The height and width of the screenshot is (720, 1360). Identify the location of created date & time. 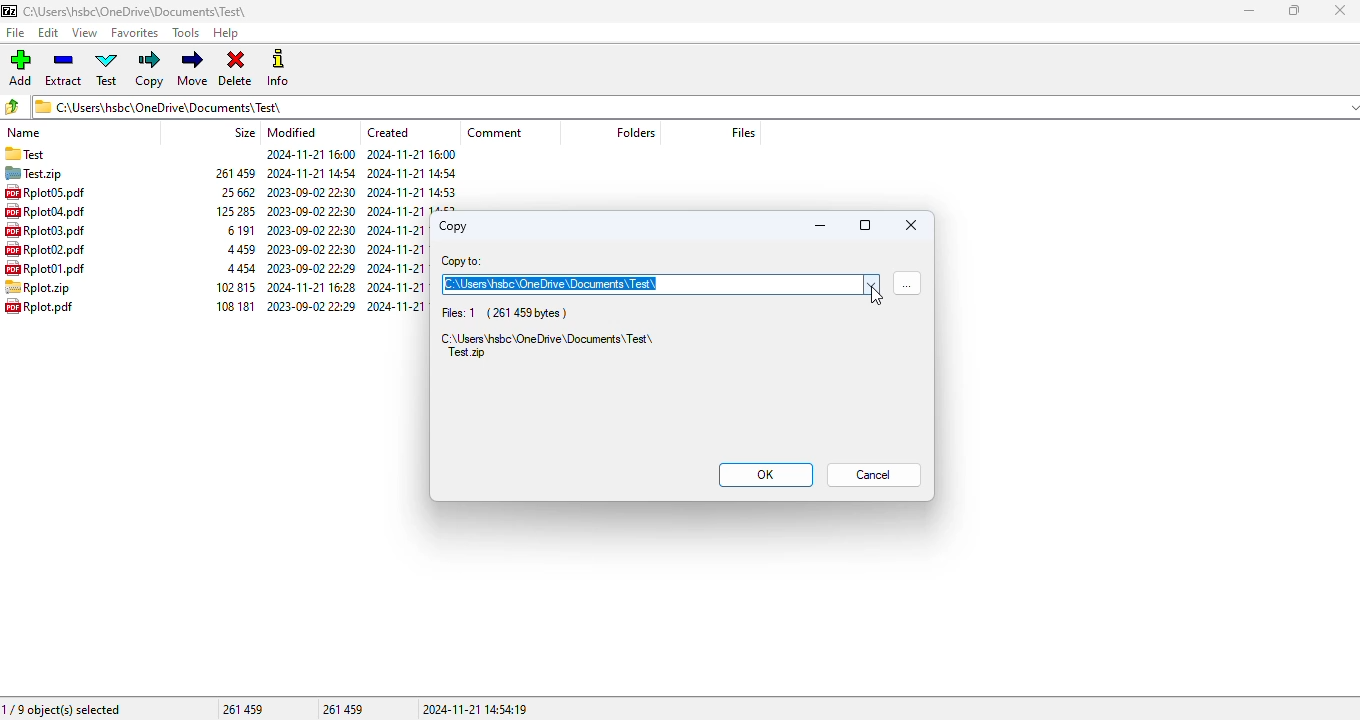
(397, 268).